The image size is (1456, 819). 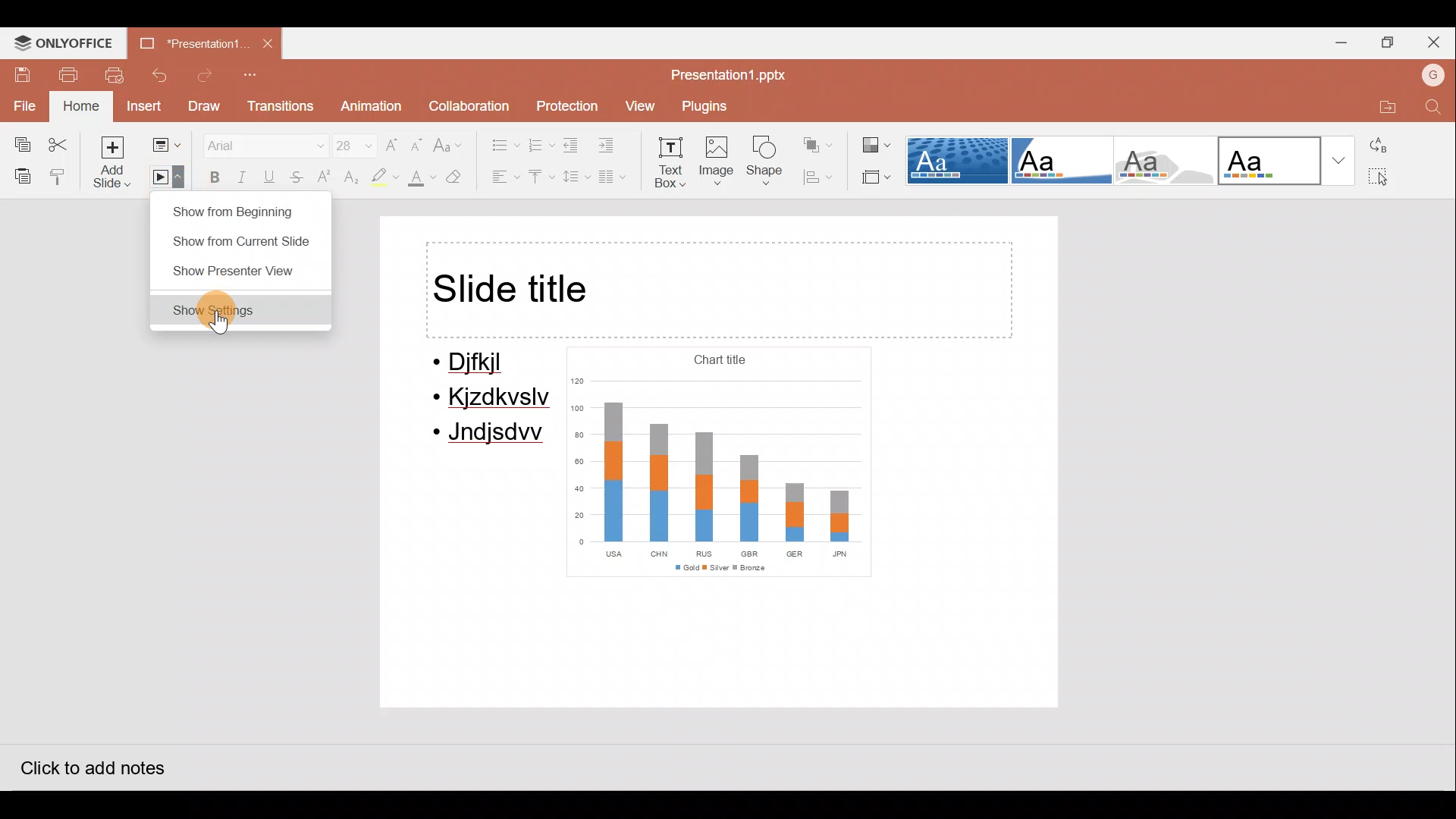 I want to click on Customize quick access toolbar, so click(x=258, y=76).